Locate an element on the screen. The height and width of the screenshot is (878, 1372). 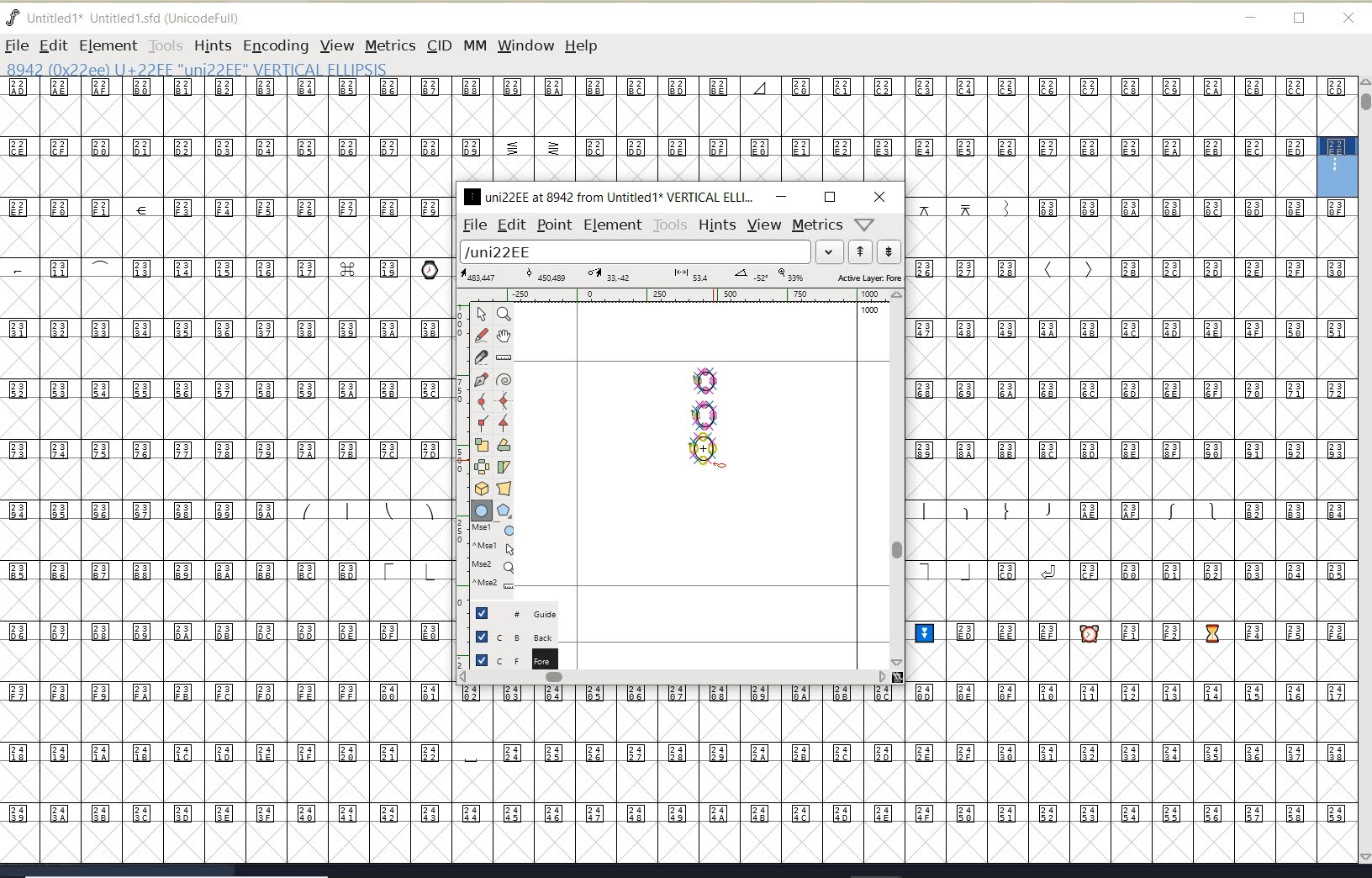
background is located at coordinates (517, 636).